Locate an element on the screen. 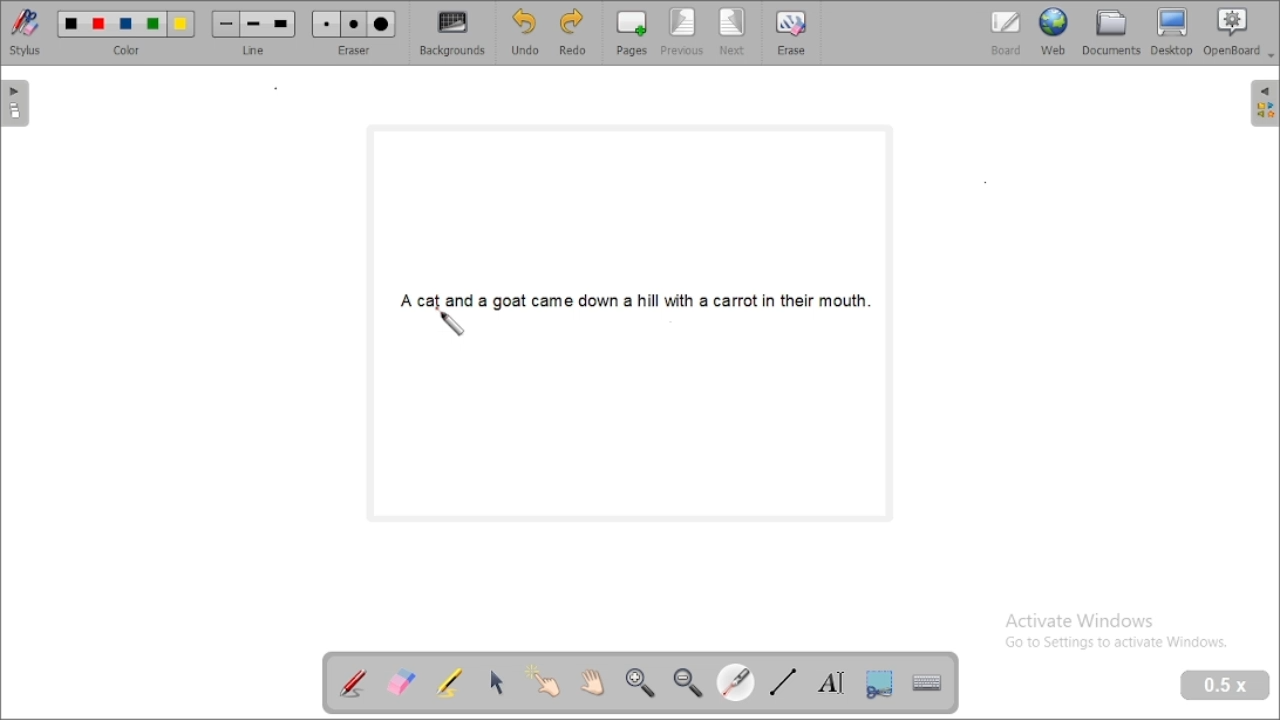  zoom level is located at coordinates (1226, 686).